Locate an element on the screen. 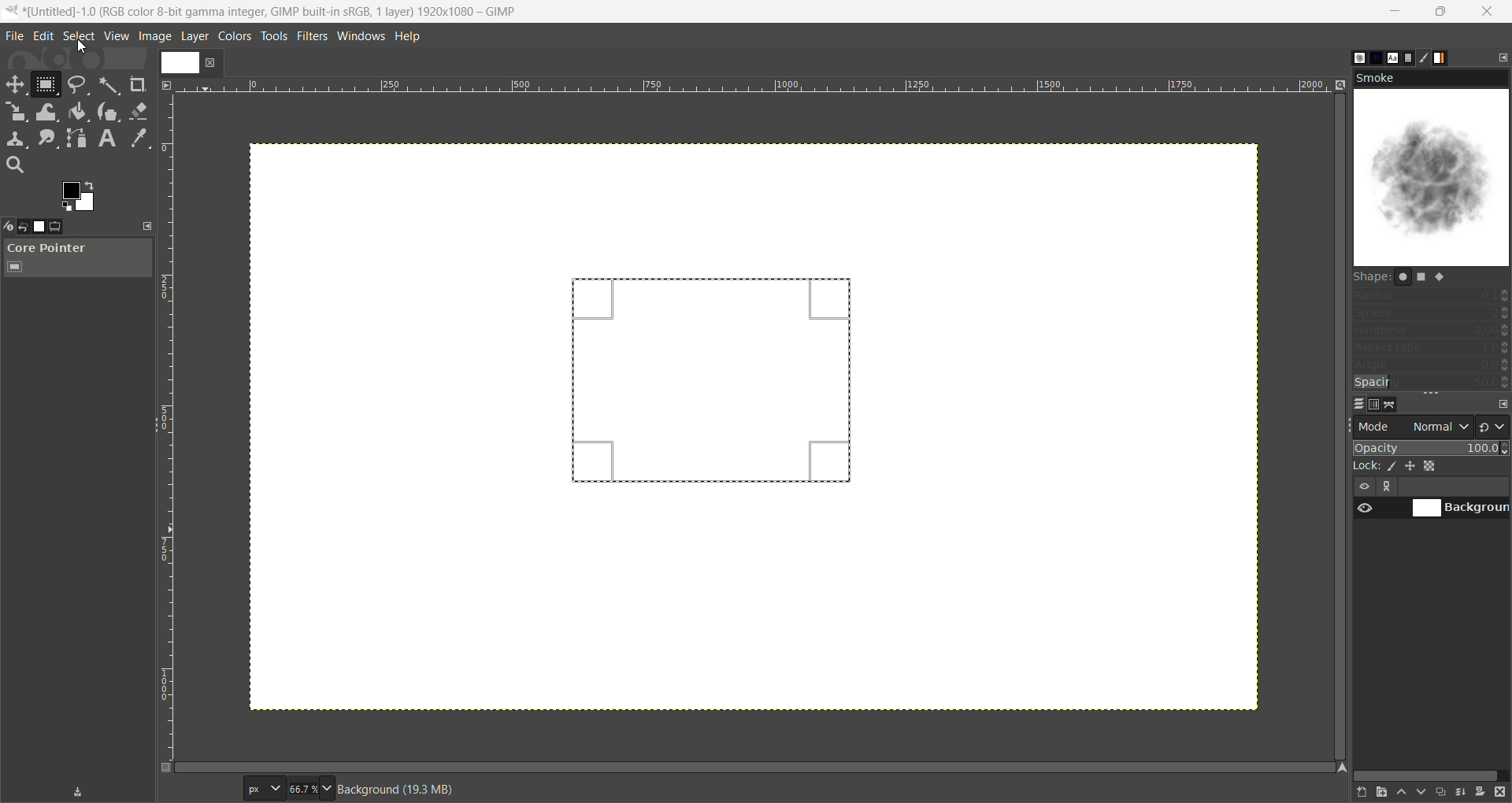  windows is located at coordinates (360, 35).